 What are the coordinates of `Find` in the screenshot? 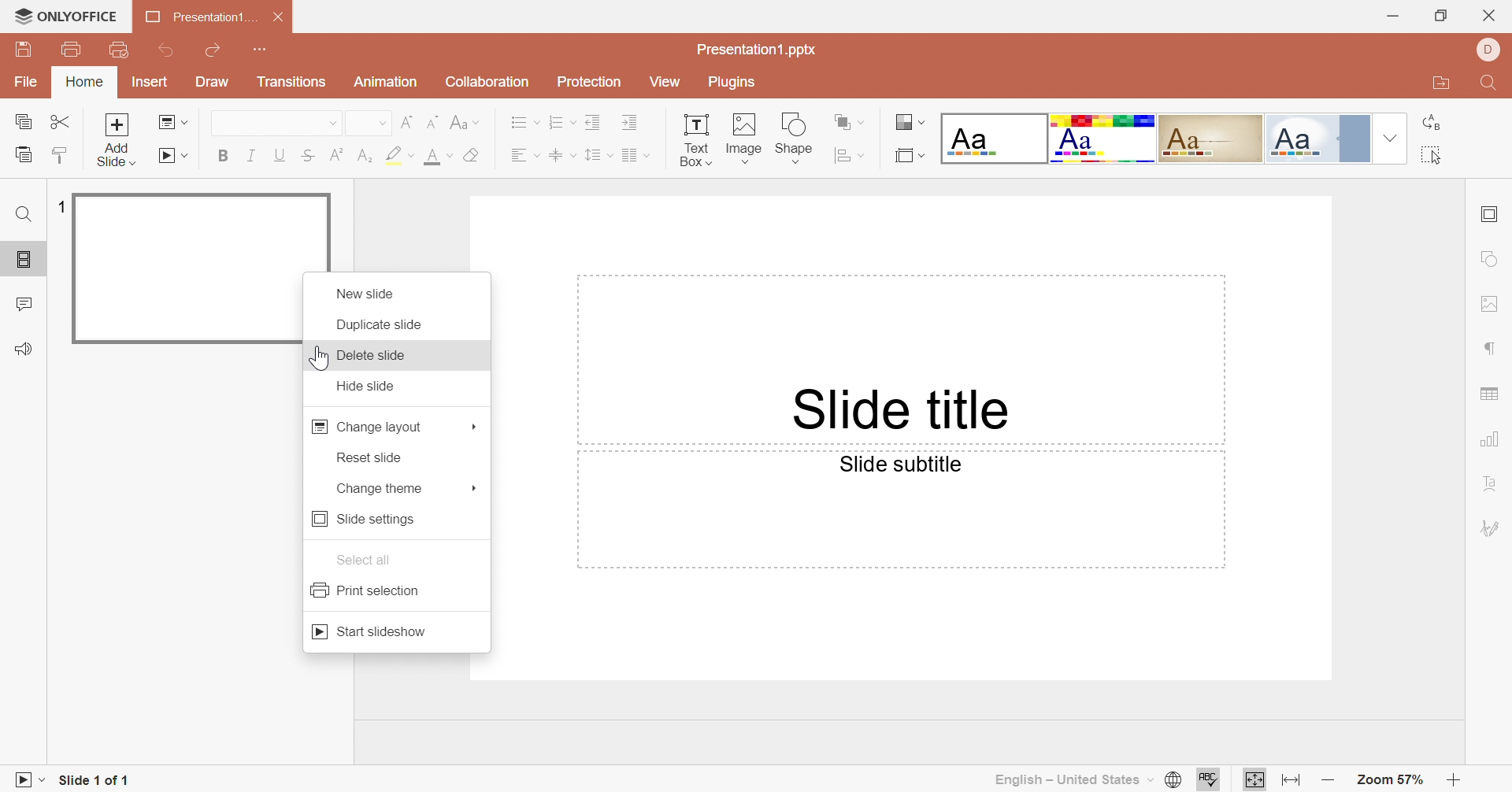 It's located at (23, 215).